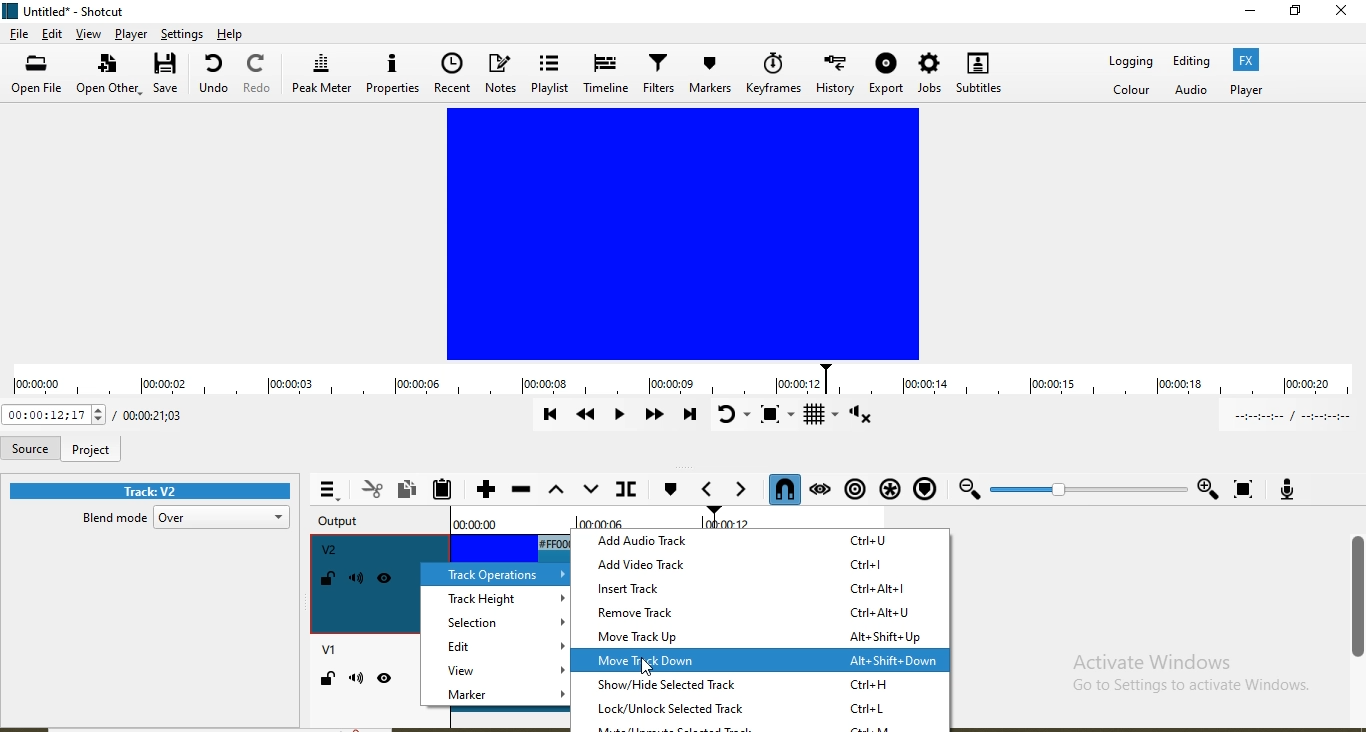 The width and height of the screenshot is (1366, 732). Describe the element at coordinates (391, 76) in the screenshot. I see `Properties` at that location.